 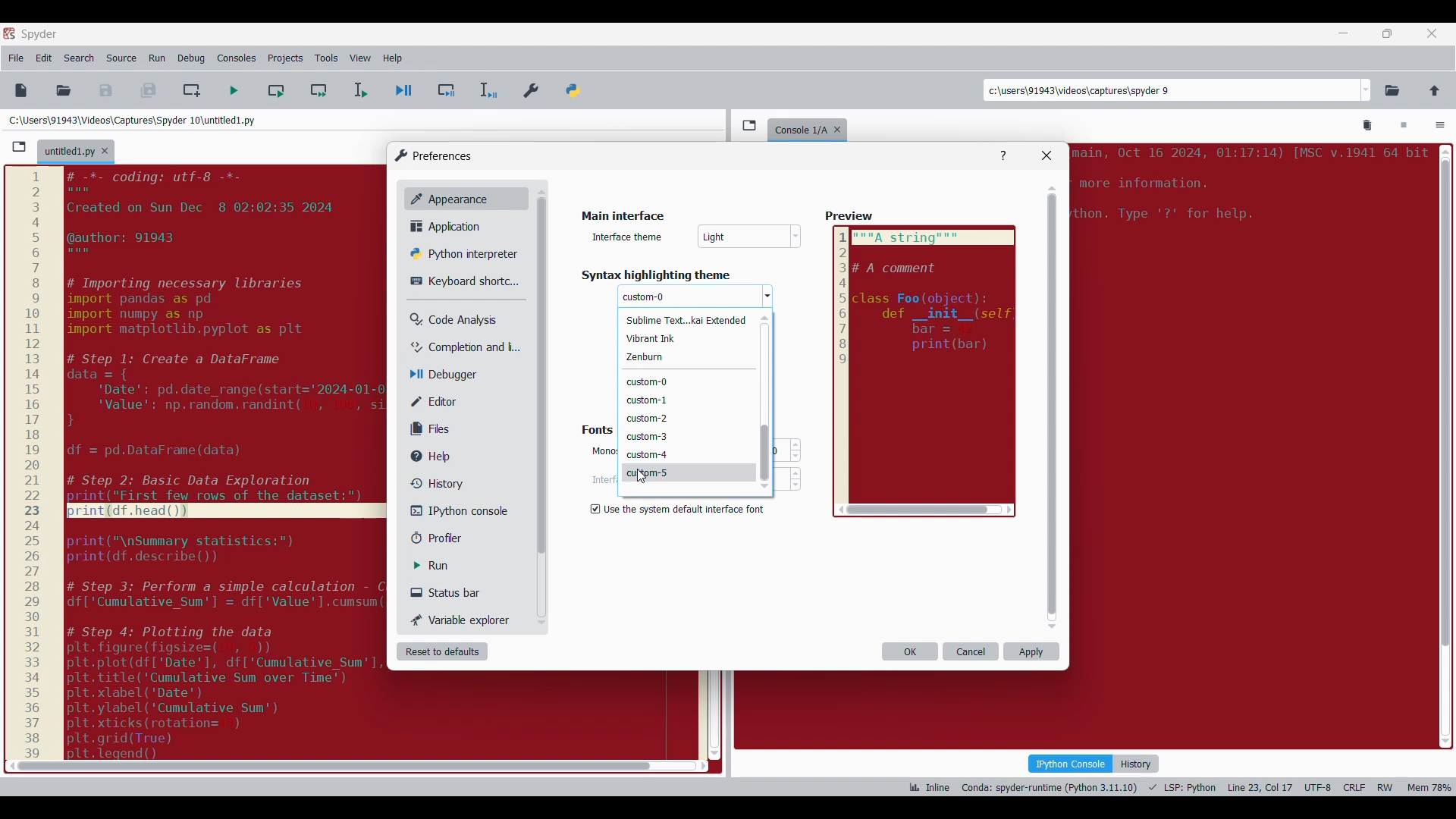 I want to click on Run current cell, so click(x=276, y=90).